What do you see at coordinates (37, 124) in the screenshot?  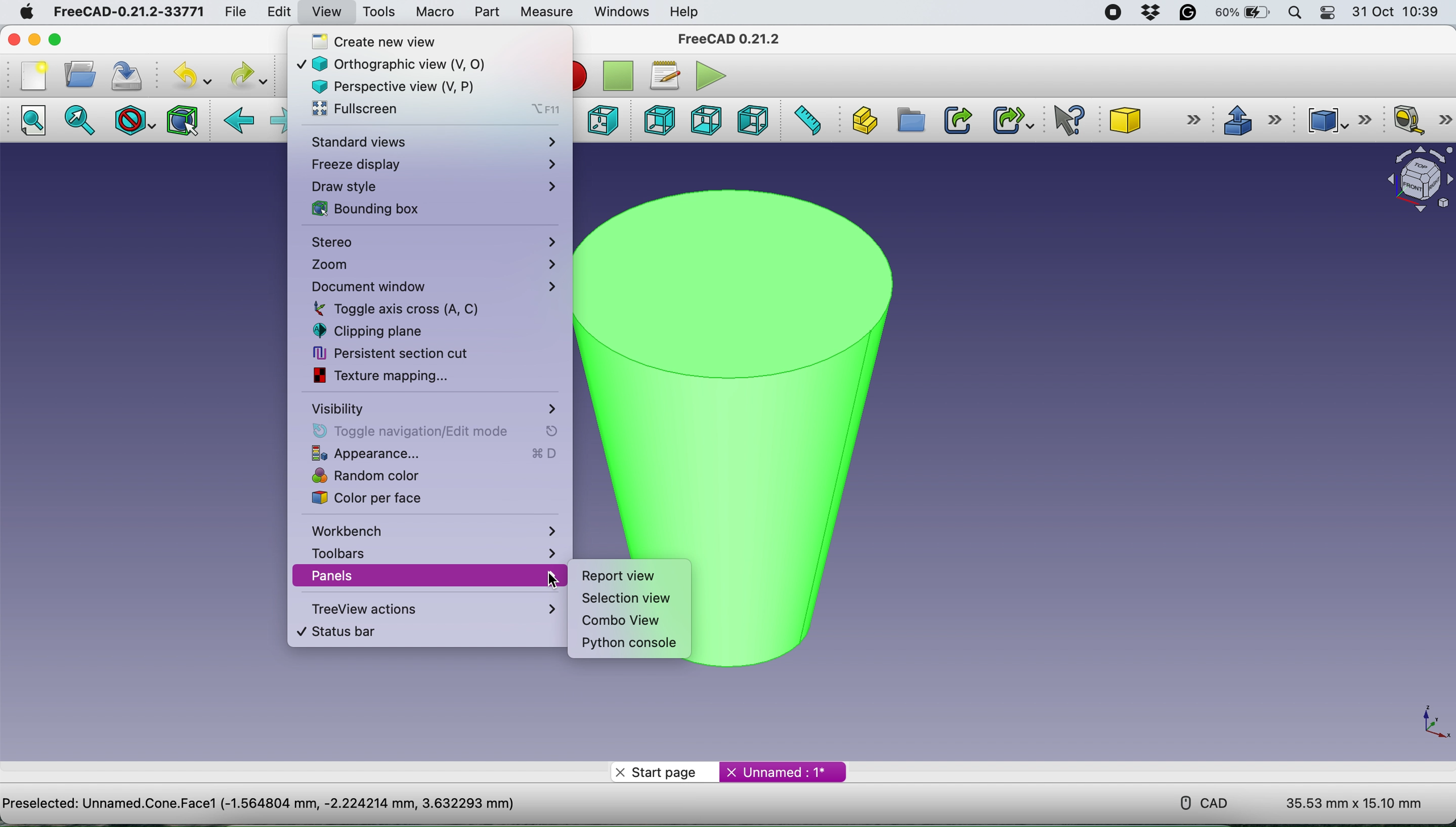 I see `fit all` at bounding box center [37, 124].